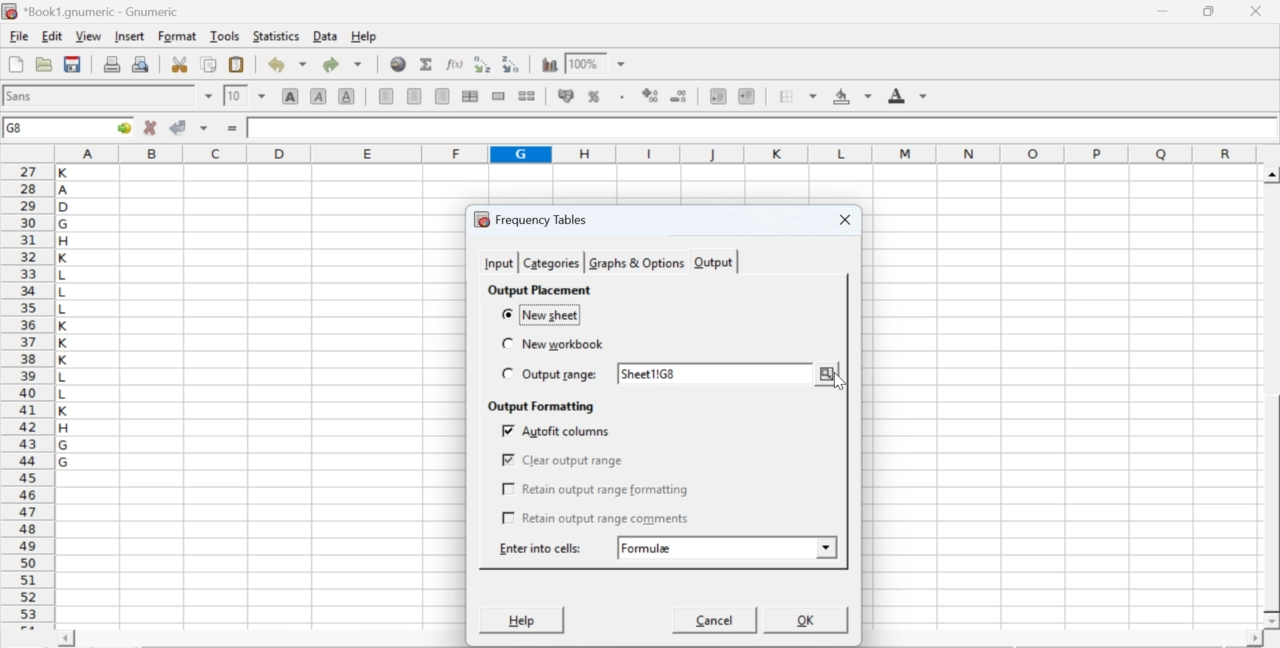 The height and width of the screenshot is (648, 1280). Describe the element at coordinates (512, 62) in the screenshot. I see `Sort the selected region in descending order based on the first column selected` at that location.